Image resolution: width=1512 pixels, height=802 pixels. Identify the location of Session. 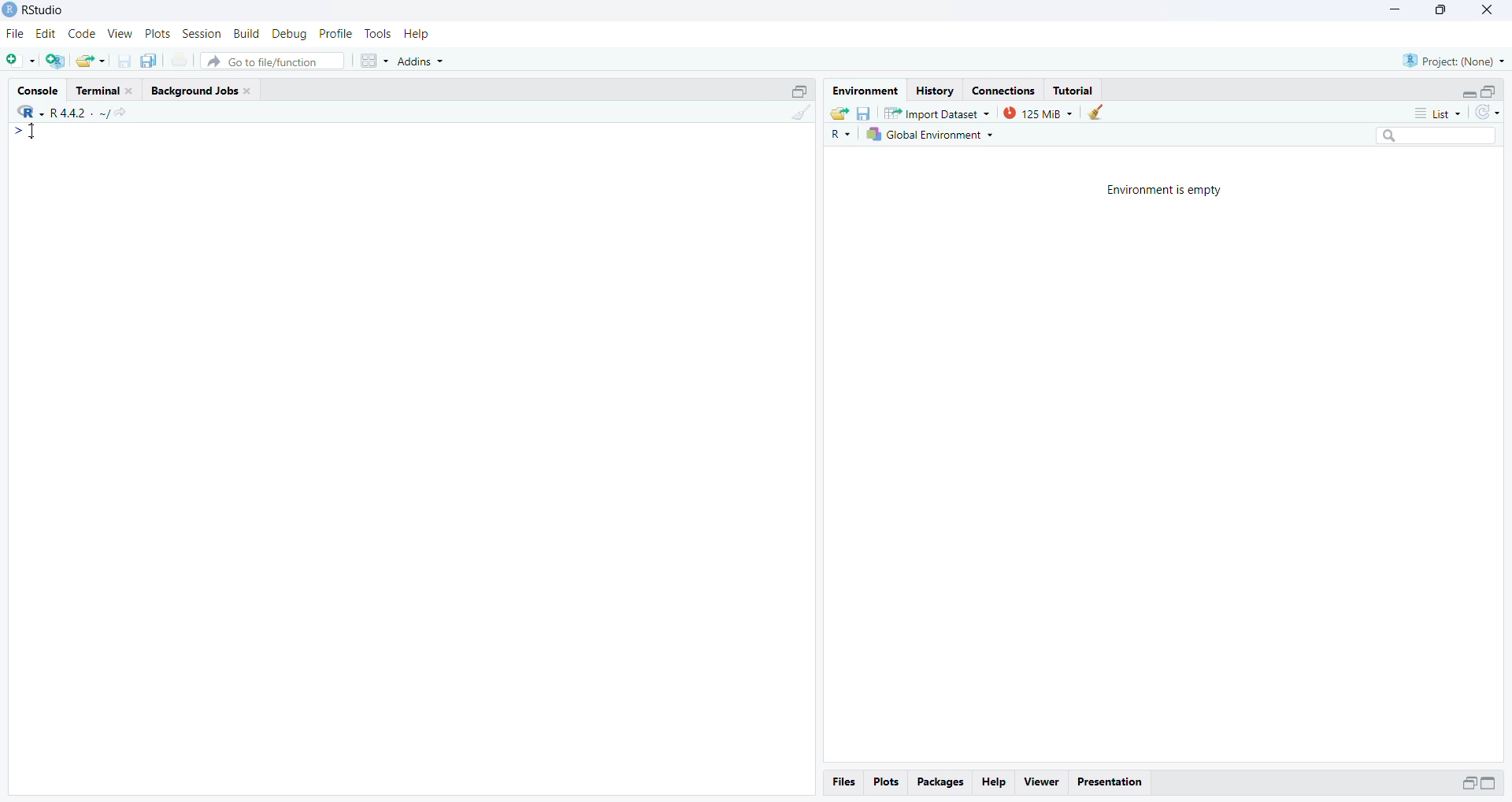
(202, 33).